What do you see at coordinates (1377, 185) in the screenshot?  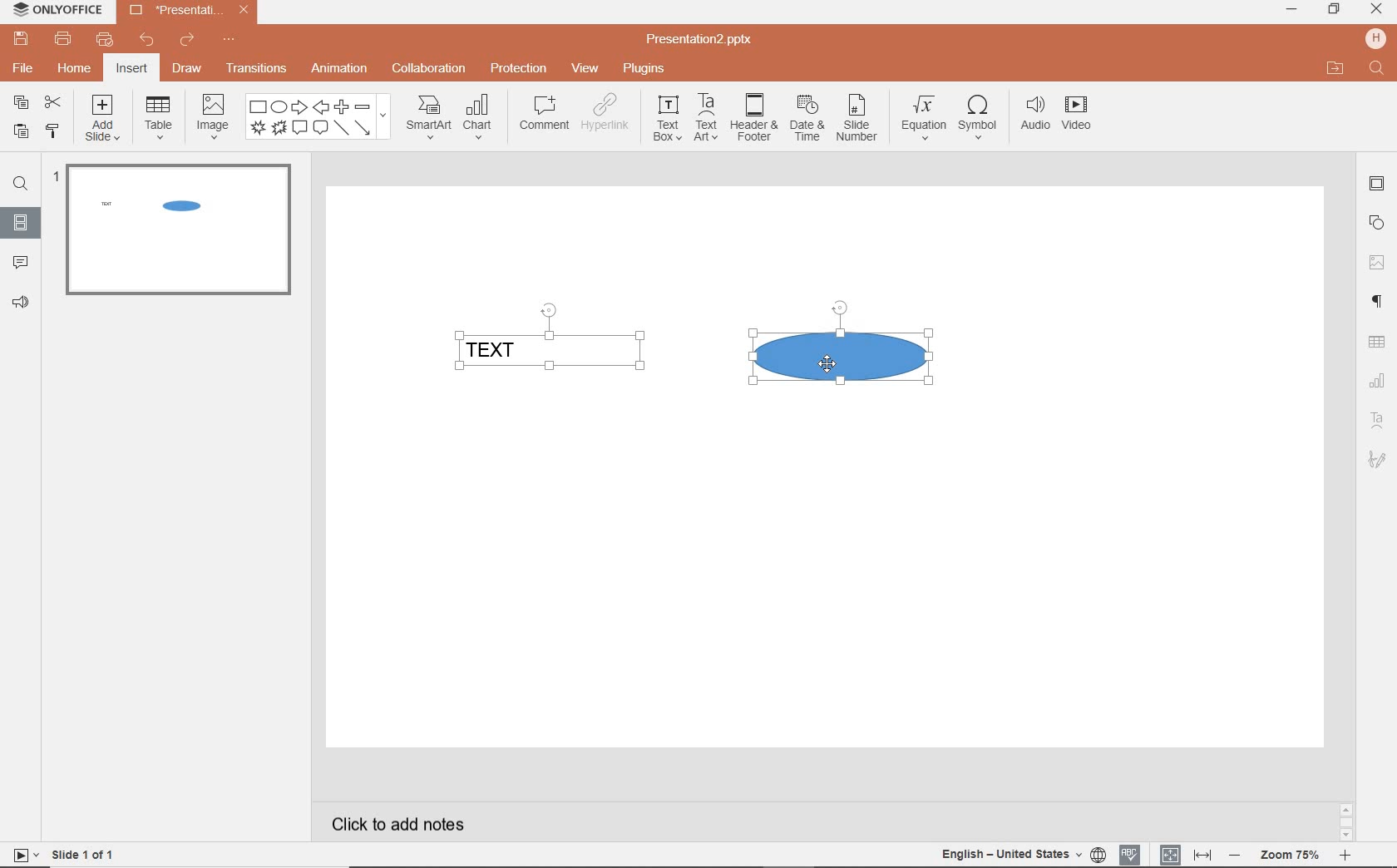 I see `SLIDE SETTINGS` at bounding box center [1377, 185].